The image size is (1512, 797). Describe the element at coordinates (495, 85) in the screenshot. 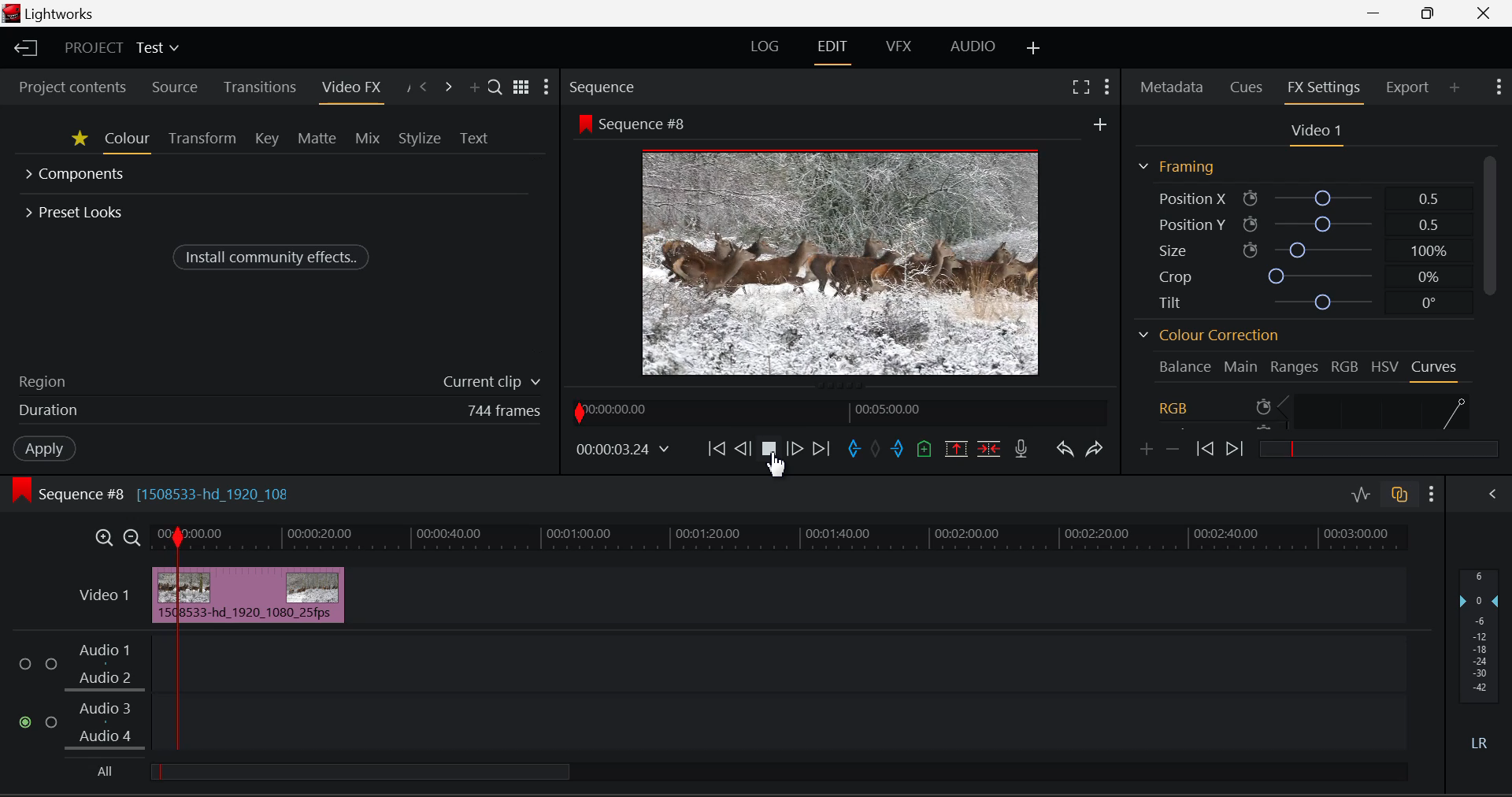

I see `Search` at that location.